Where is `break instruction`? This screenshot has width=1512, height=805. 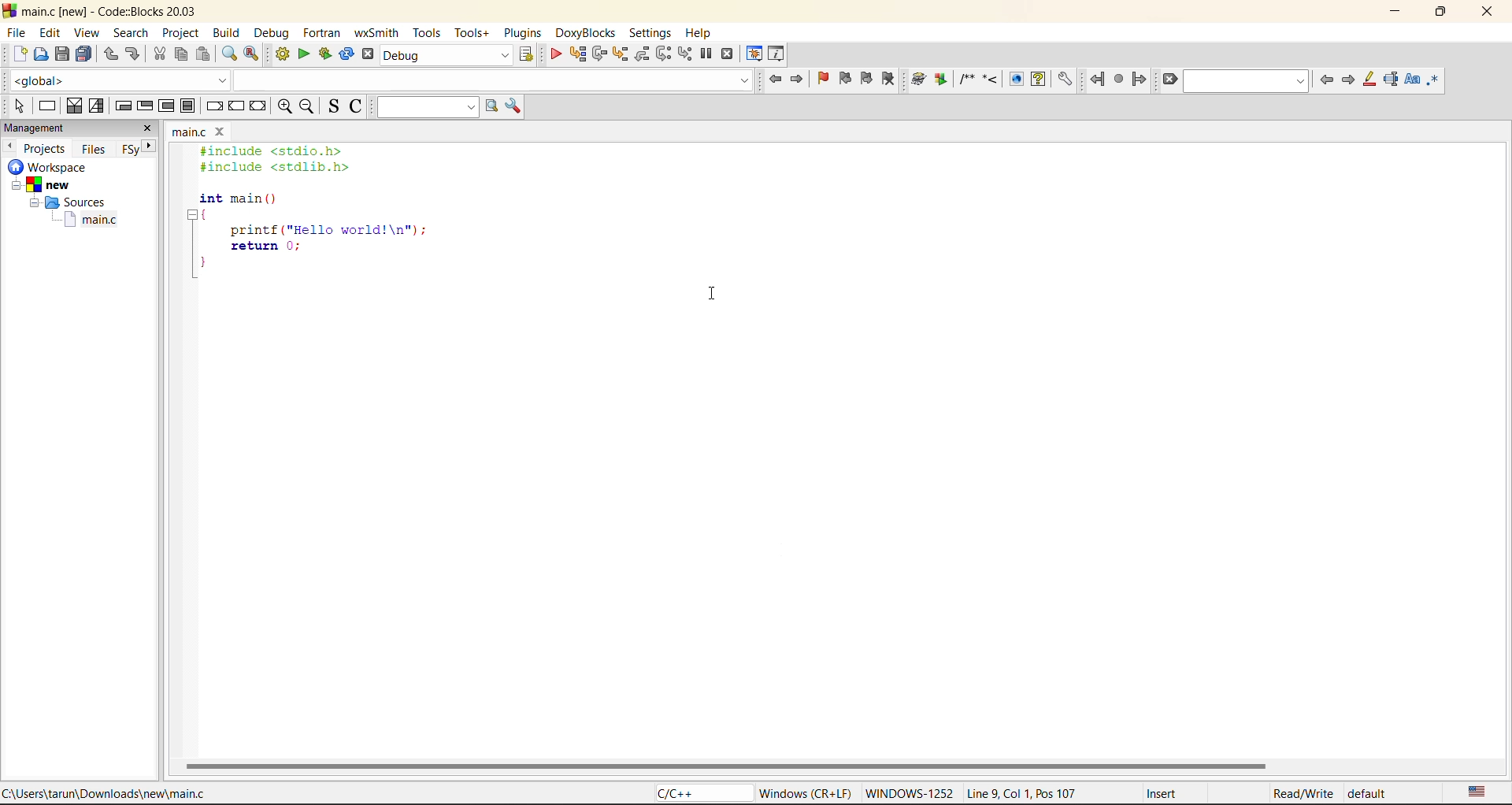 break instruction is located at coordinates (187, 106).